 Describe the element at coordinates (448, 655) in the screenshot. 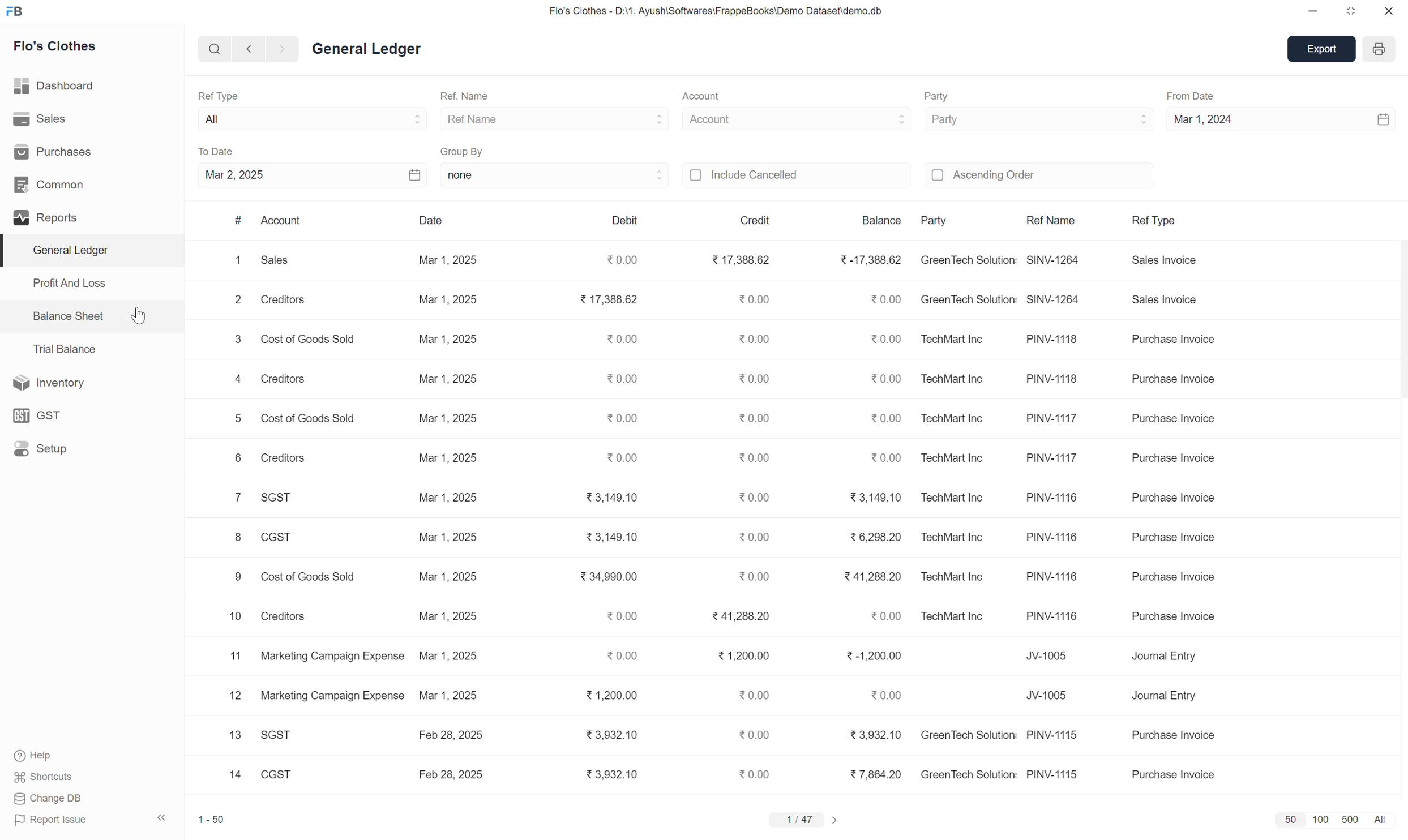

I see `Mar 1, 2025` at that location.